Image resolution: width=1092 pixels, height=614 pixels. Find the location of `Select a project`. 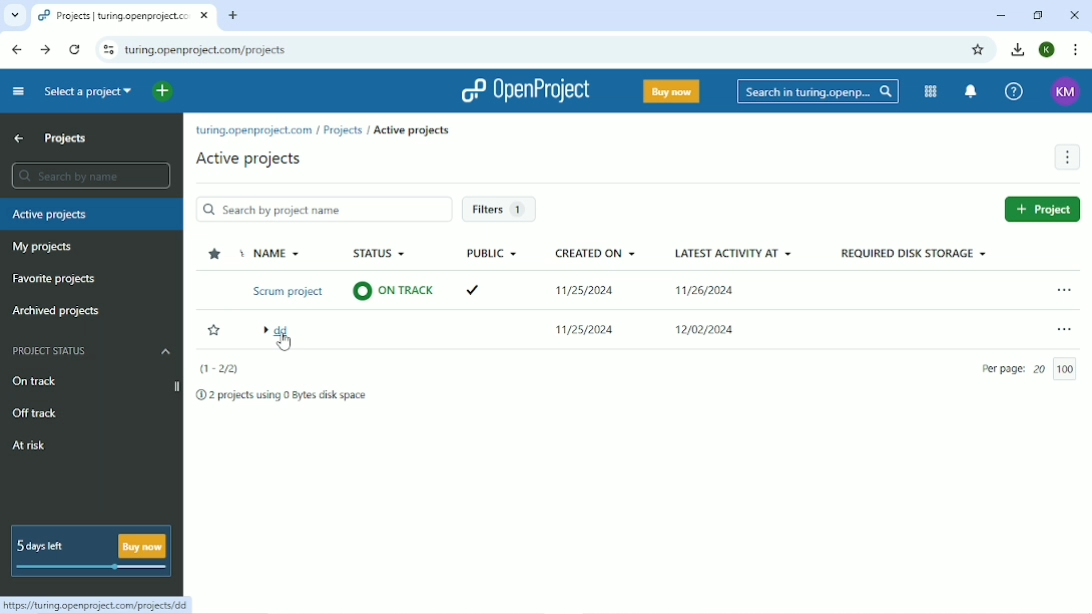

Select a project is located at coordinates (89, 92).